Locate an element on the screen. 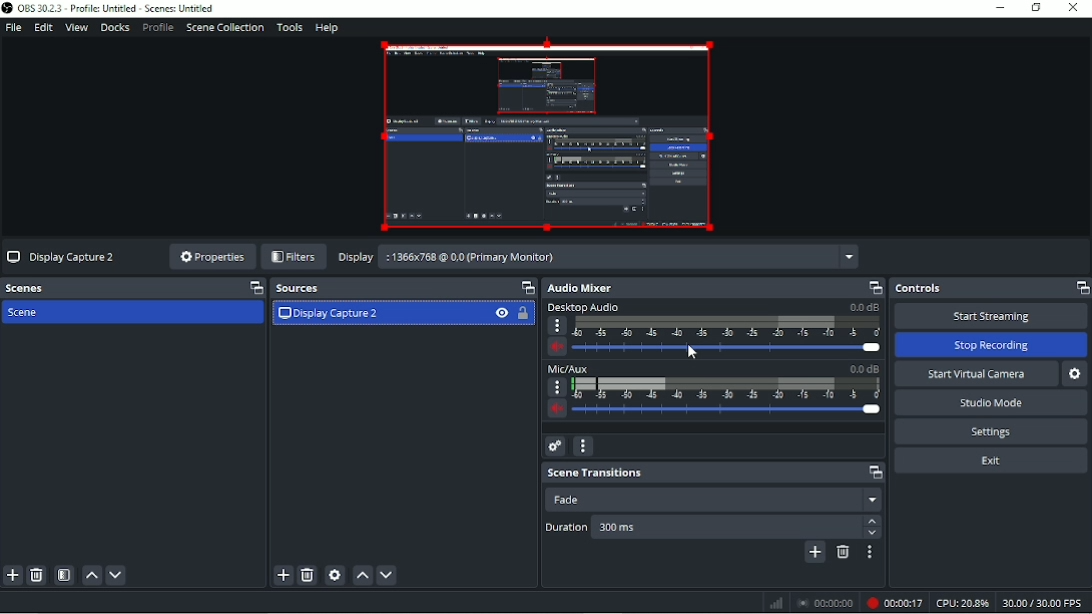 Image resolution: width=1092 pixels, height=614 pixels. Fade is located at coordinates (715, 499).